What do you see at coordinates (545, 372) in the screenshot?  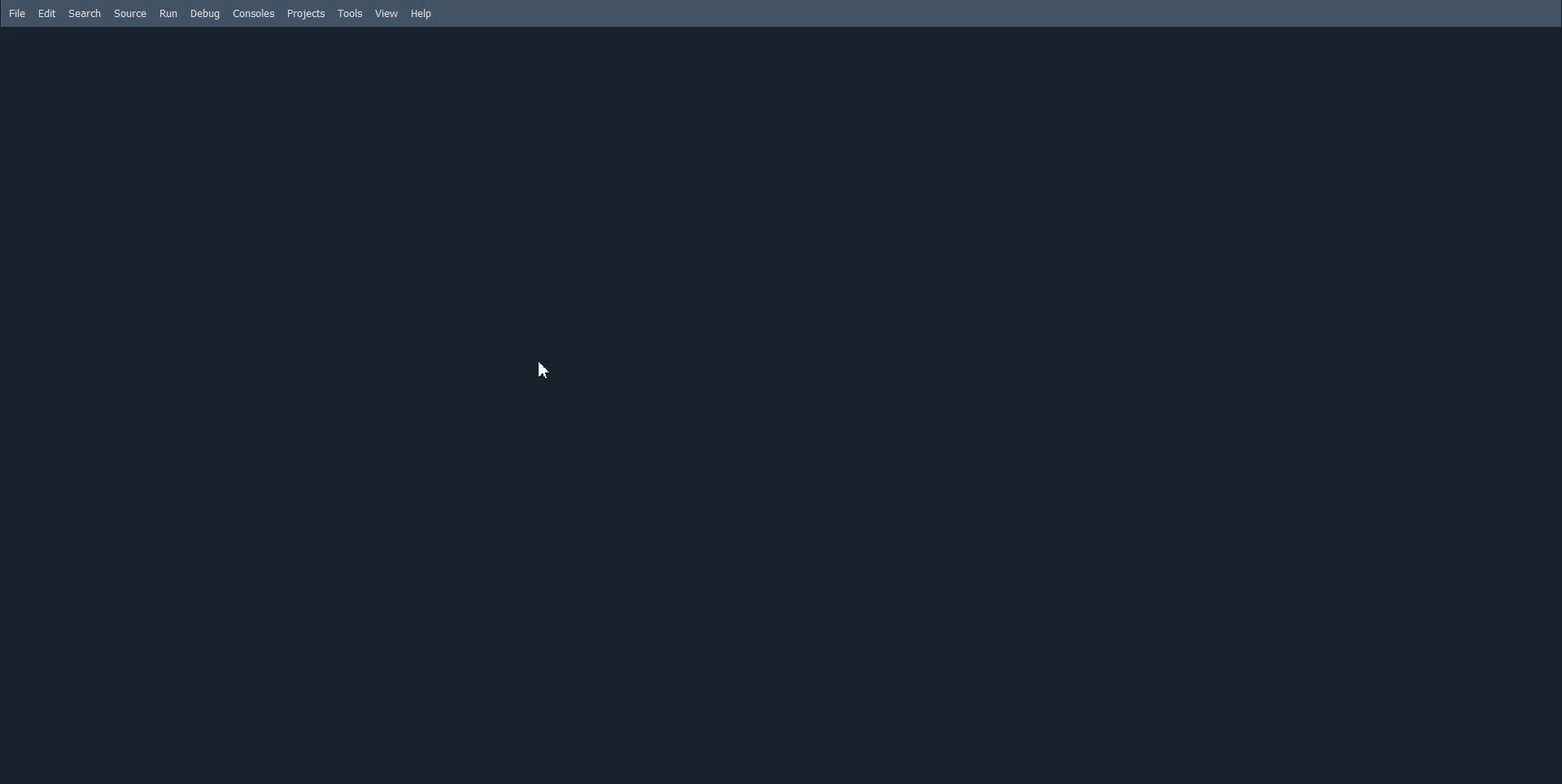 I see `Cursor` at bounding box center [545, 372].